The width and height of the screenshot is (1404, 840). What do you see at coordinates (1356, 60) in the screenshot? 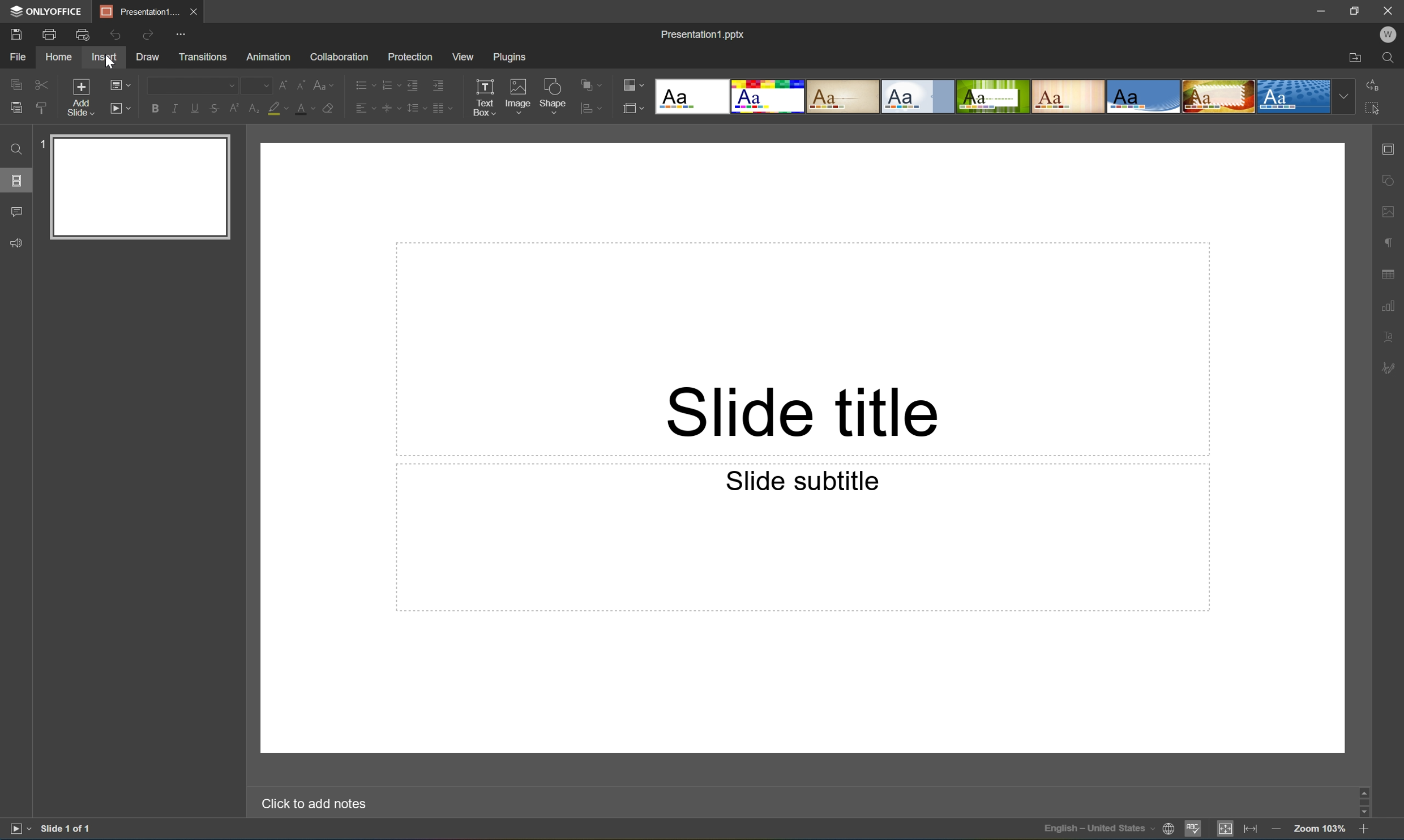
I see `Open file location` at bounding box center [1356, 60].